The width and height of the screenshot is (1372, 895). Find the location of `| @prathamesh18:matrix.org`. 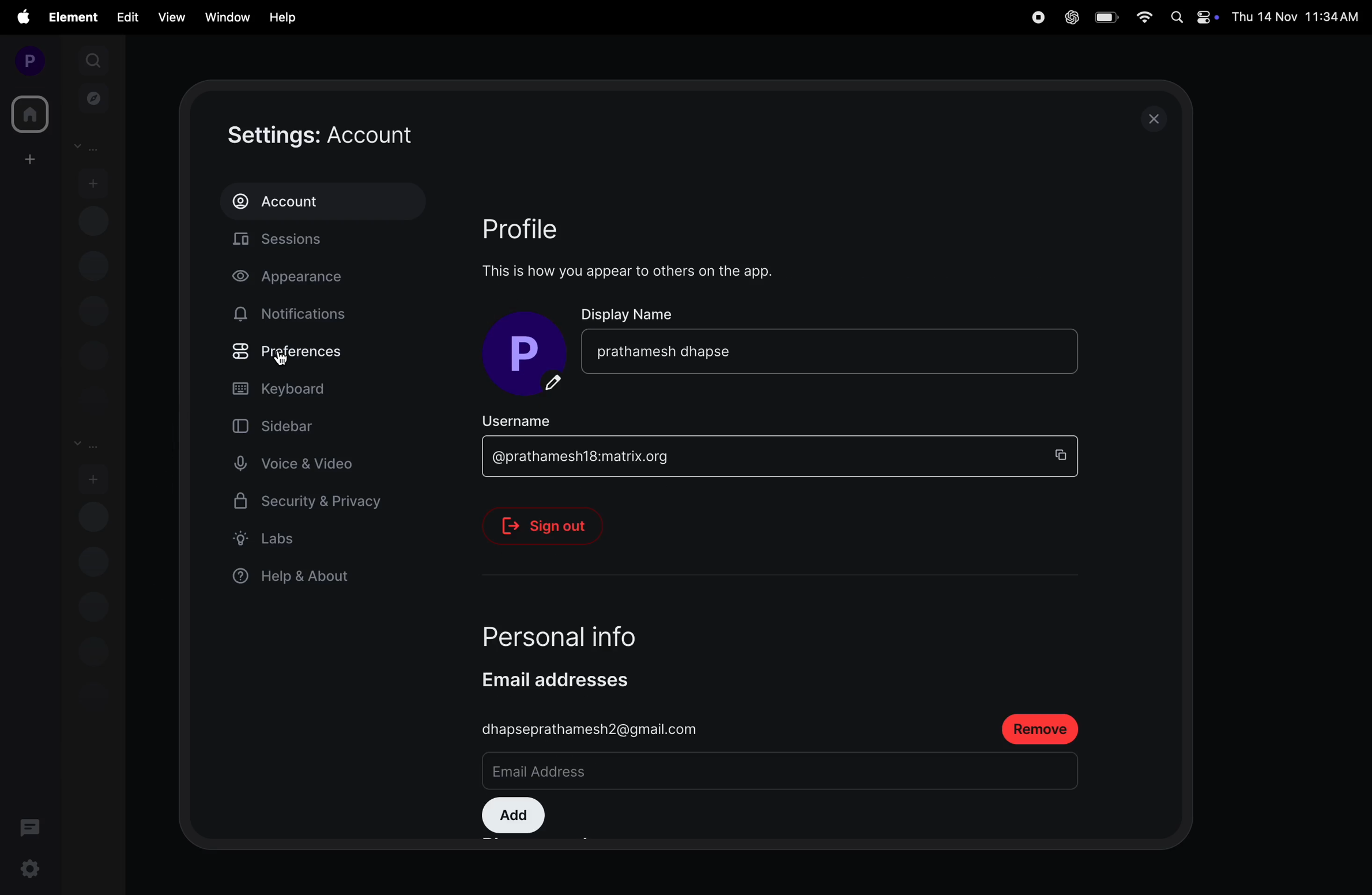

| @prathamesh18:matrix.org is located at coordinates (578, 458).